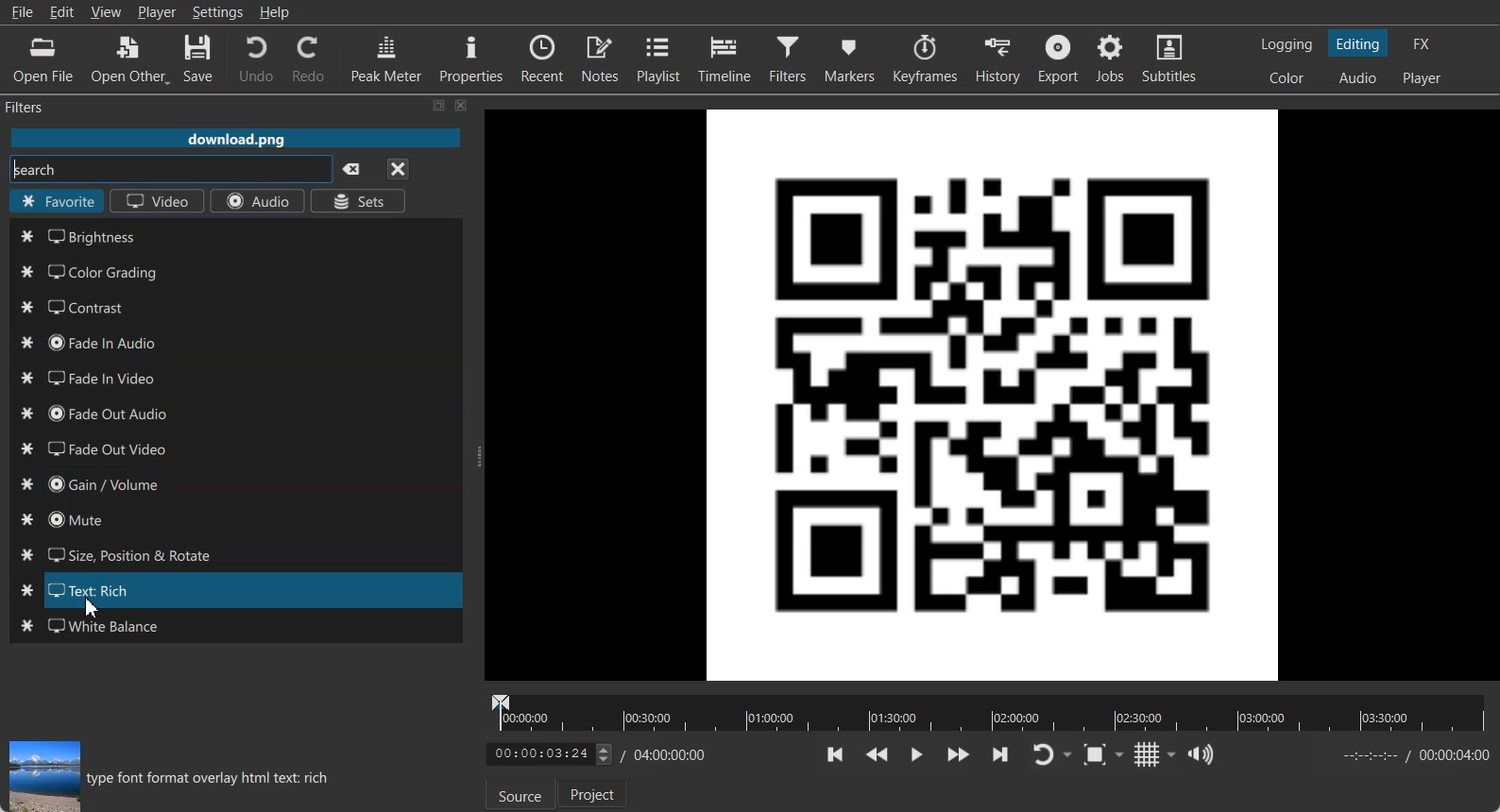  Describe the element at coordinates (1097, 755) in the screenshot. I see `Toggle Zoom` at that location.